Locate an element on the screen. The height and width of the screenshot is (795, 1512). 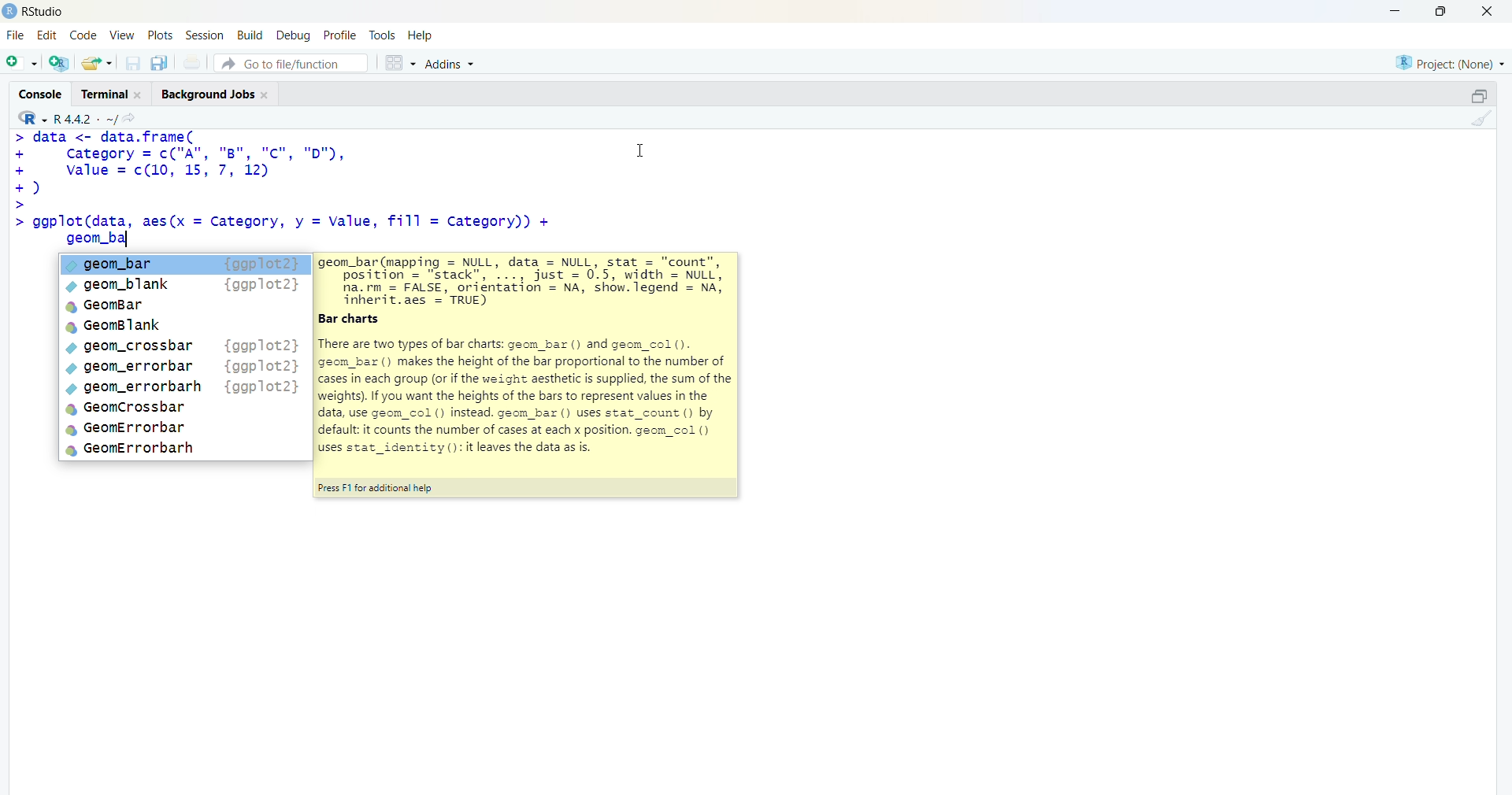
grid view is located at coordinates (399, 62).